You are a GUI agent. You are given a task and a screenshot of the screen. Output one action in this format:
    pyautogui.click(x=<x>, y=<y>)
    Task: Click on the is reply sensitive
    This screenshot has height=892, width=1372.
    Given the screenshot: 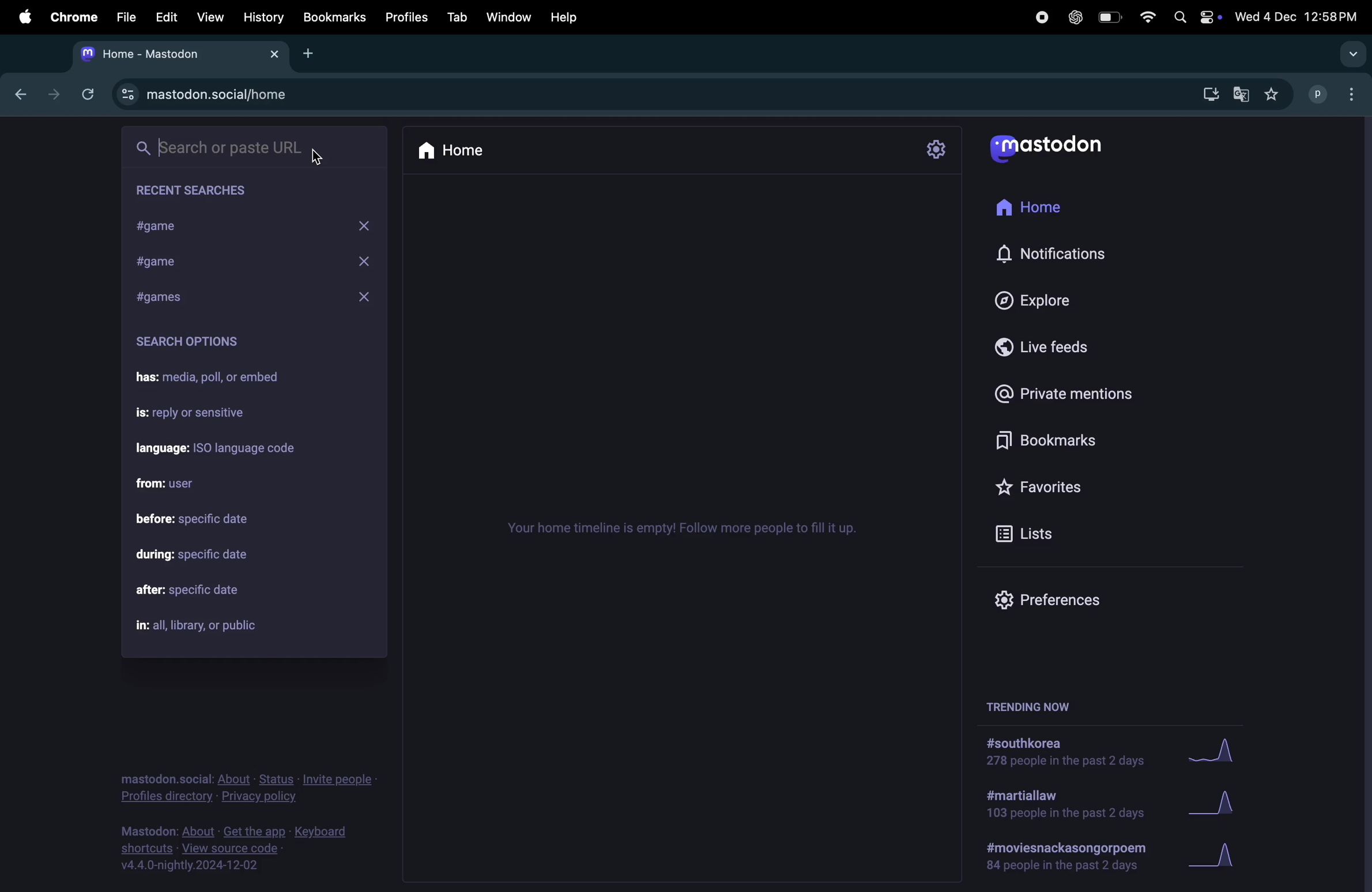 What is the action you would take?
    pyautogui.click(x=201, y=415)
    